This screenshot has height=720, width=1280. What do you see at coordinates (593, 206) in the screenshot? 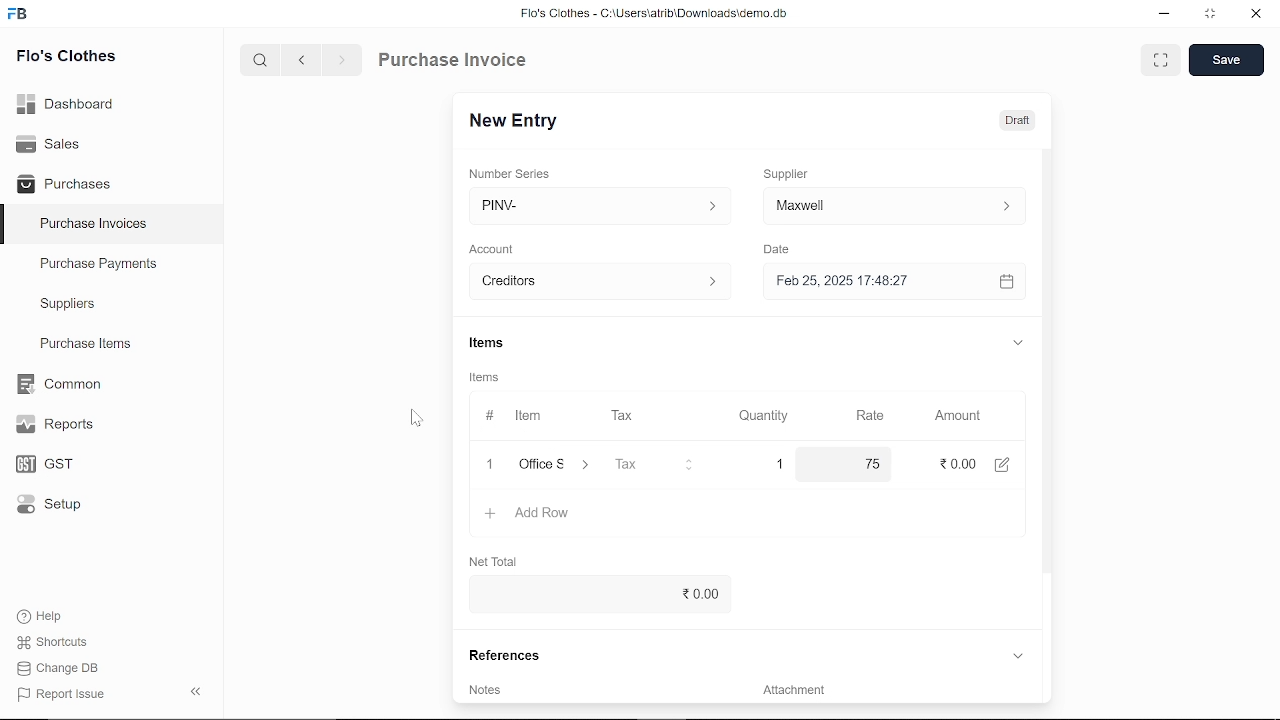
I see `PINV- >` at bounding box center [593, 206].